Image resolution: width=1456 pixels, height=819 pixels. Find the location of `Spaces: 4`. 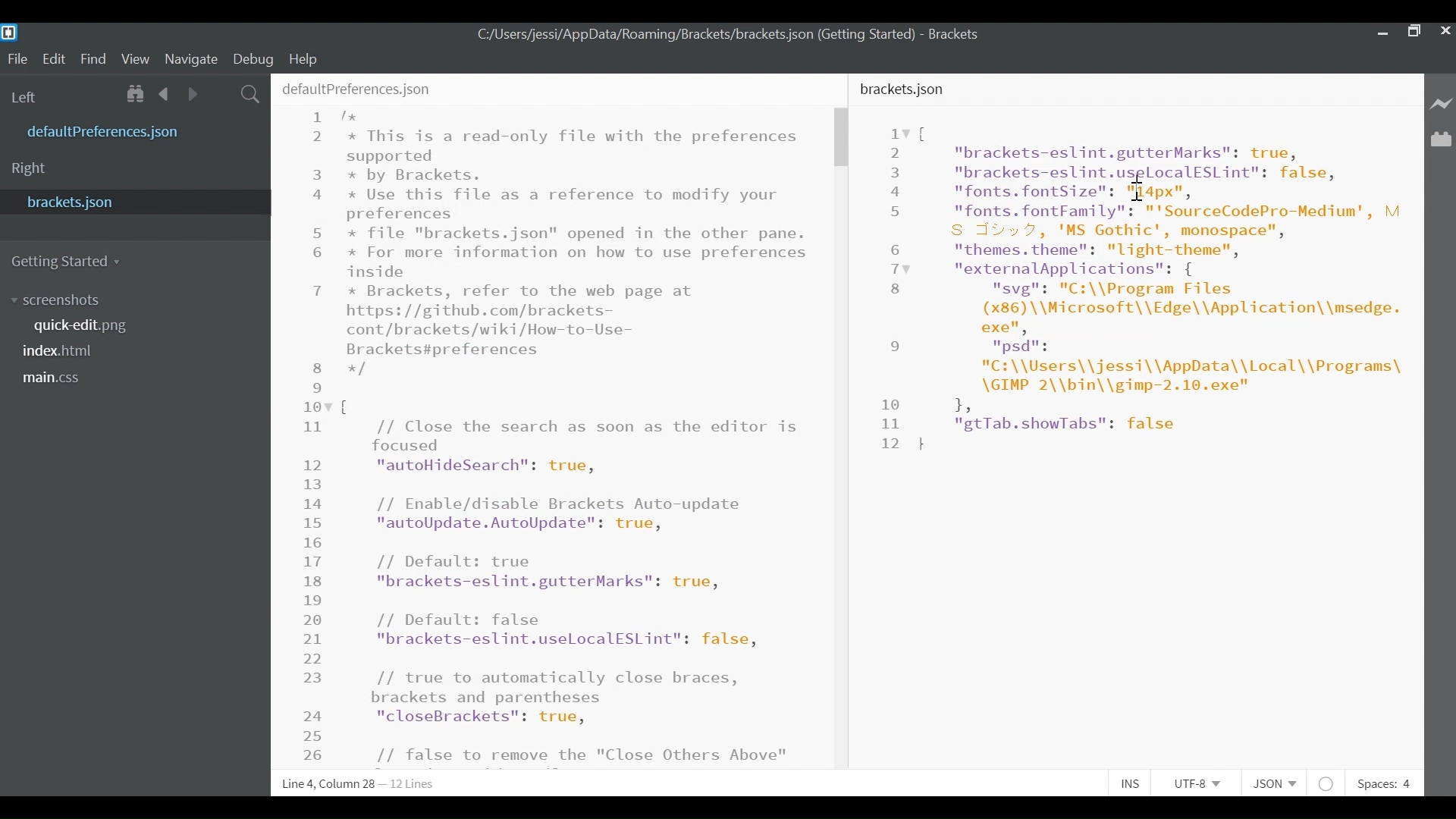

Spaces: 4 is located at coordinates (1389, 780).